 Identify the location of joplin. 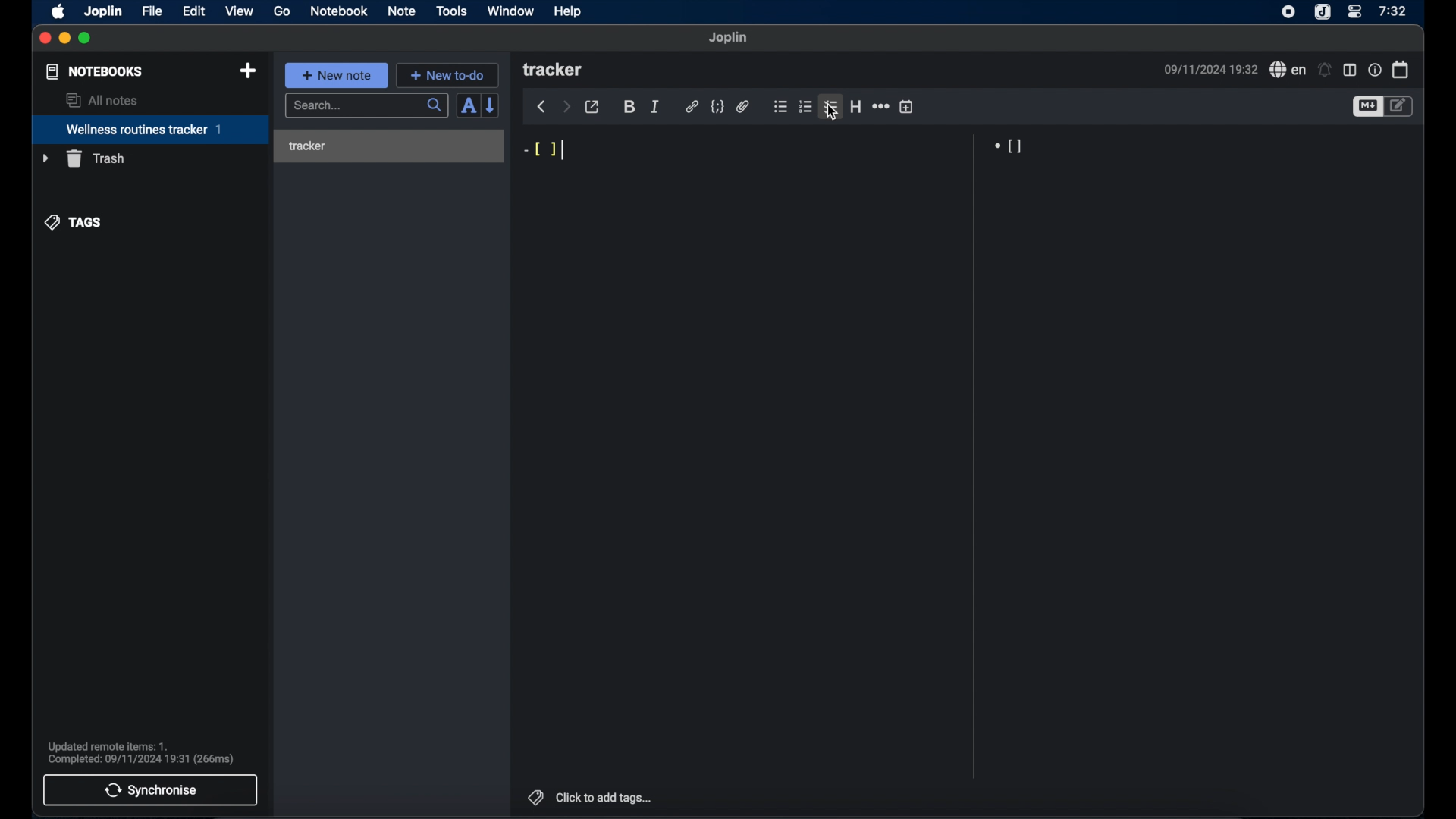
(104, 12).